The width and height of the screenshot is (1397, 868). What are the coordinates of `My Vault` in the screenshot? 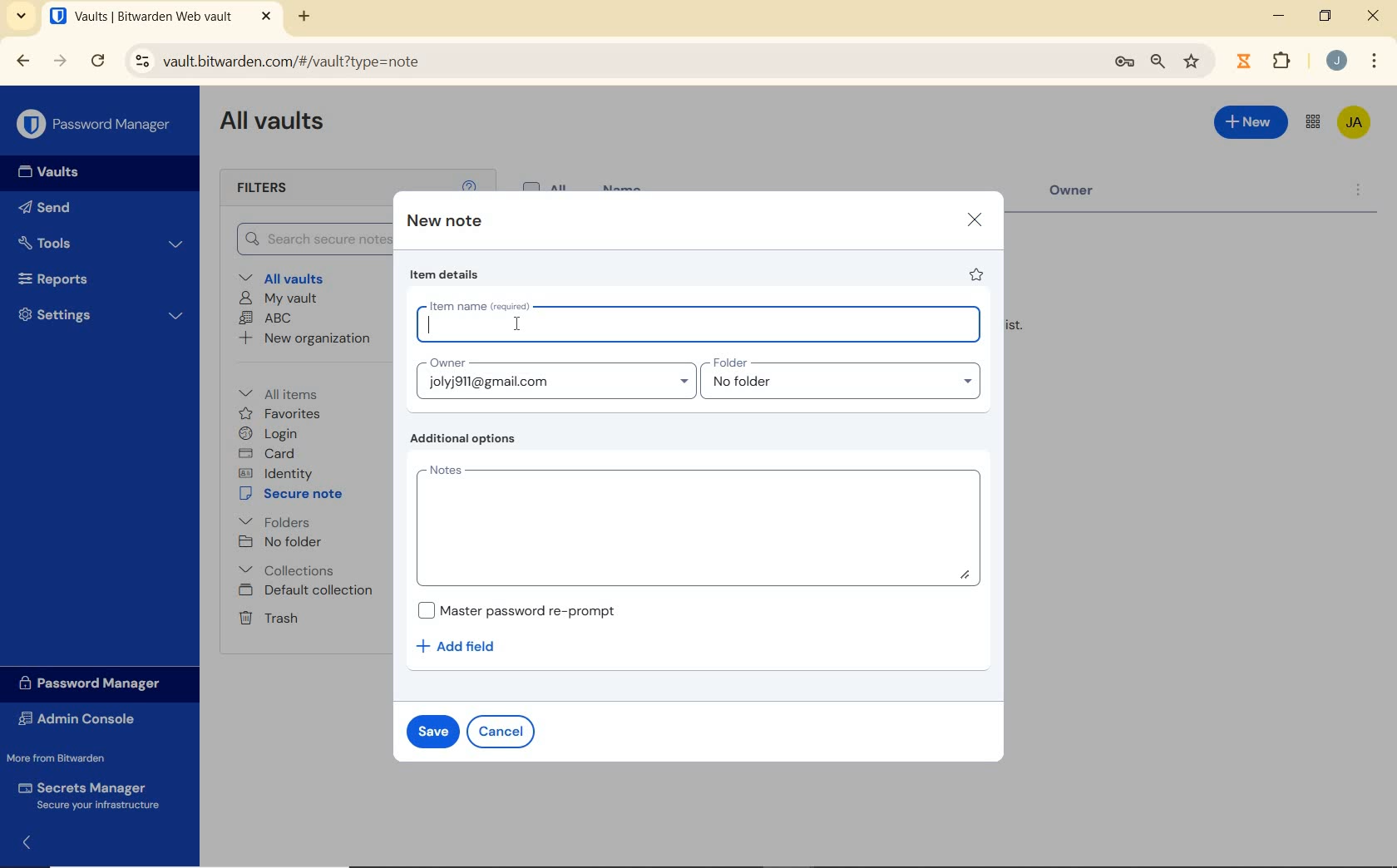 It's located at (278, 299).